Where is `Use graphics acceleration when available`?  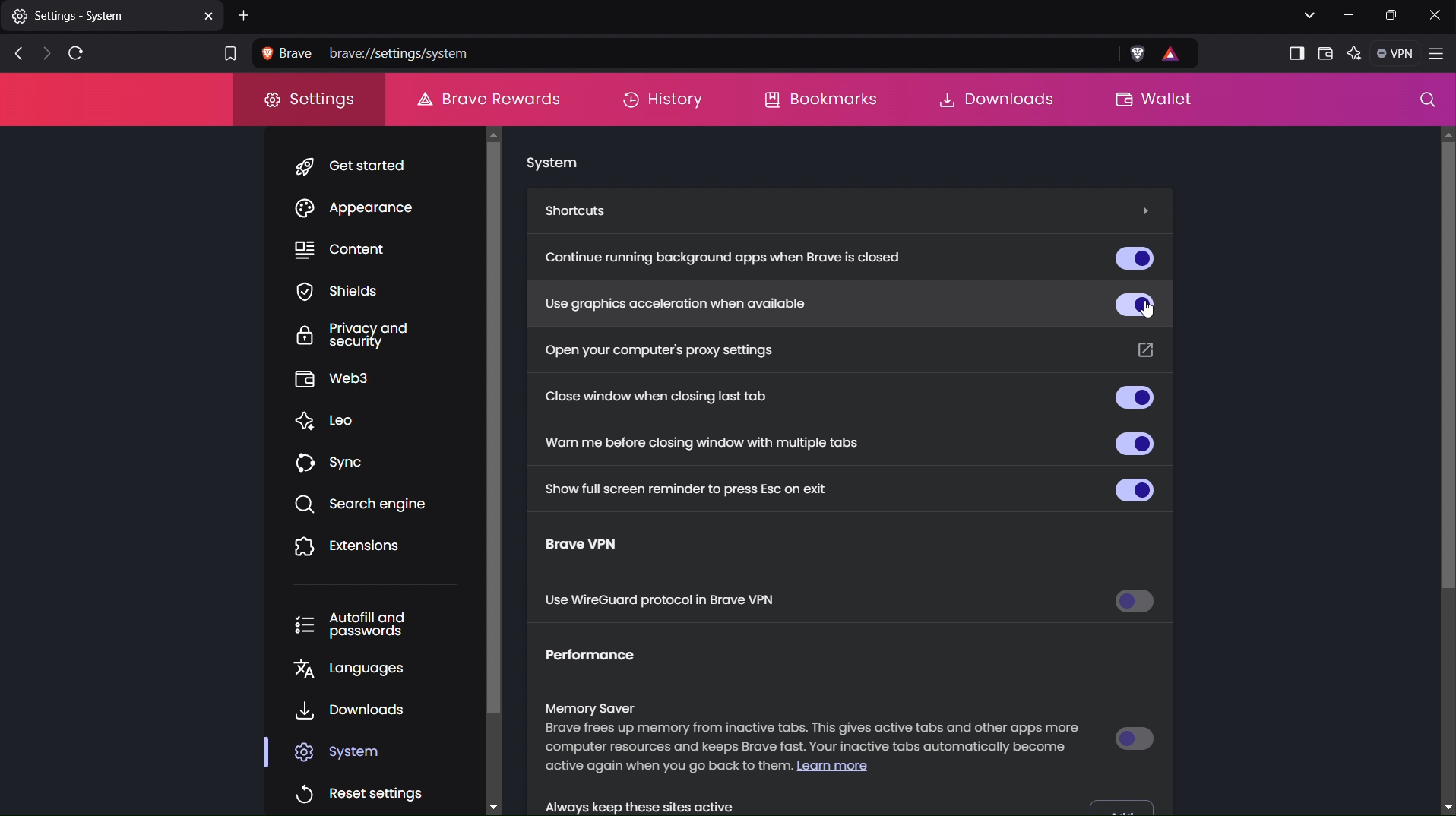 Use graphics acceleration when available is located at coordinates (671, 302).